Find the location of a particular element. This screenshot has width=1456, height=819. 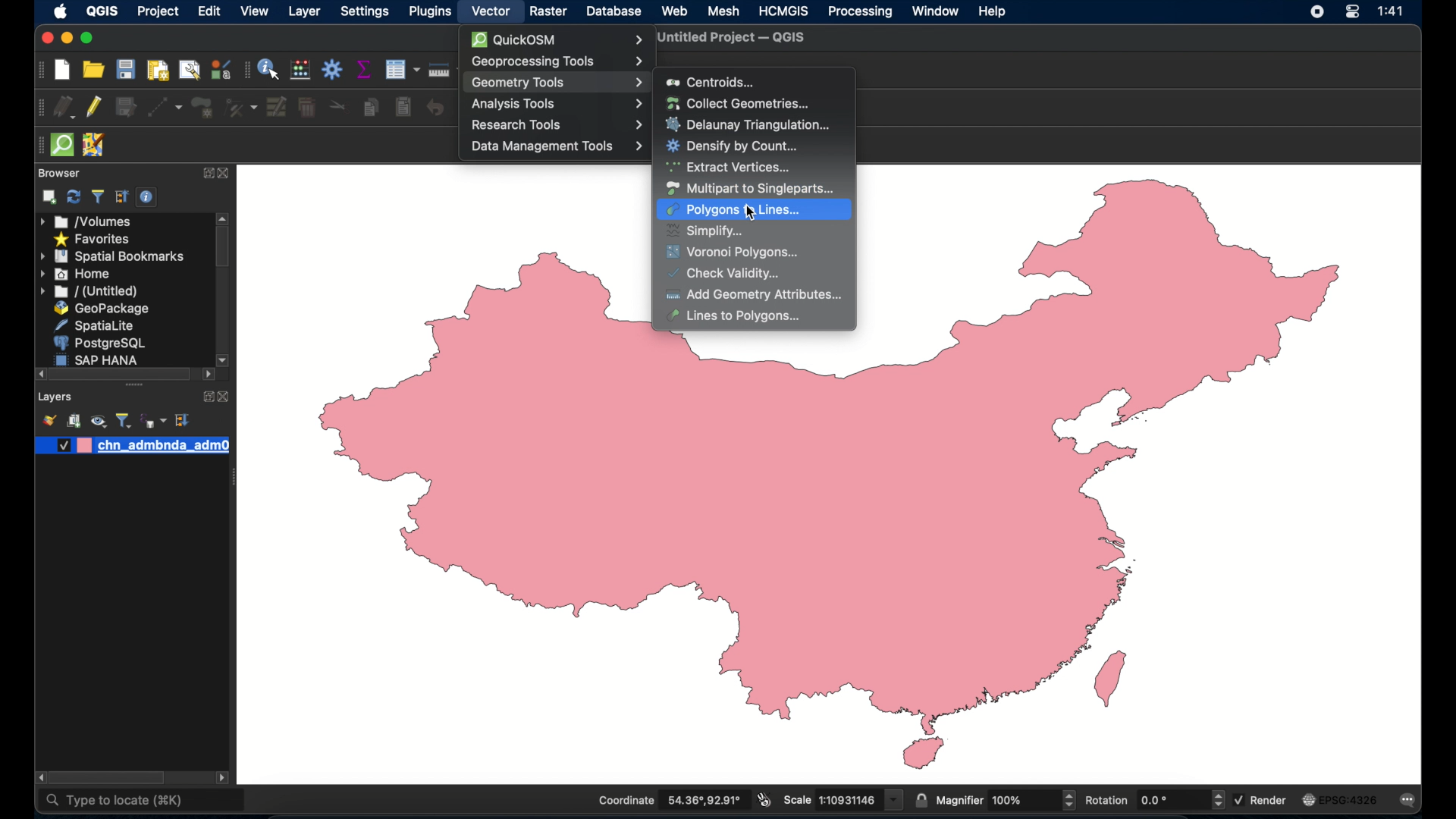

layers is located at coordinates (55, 398).